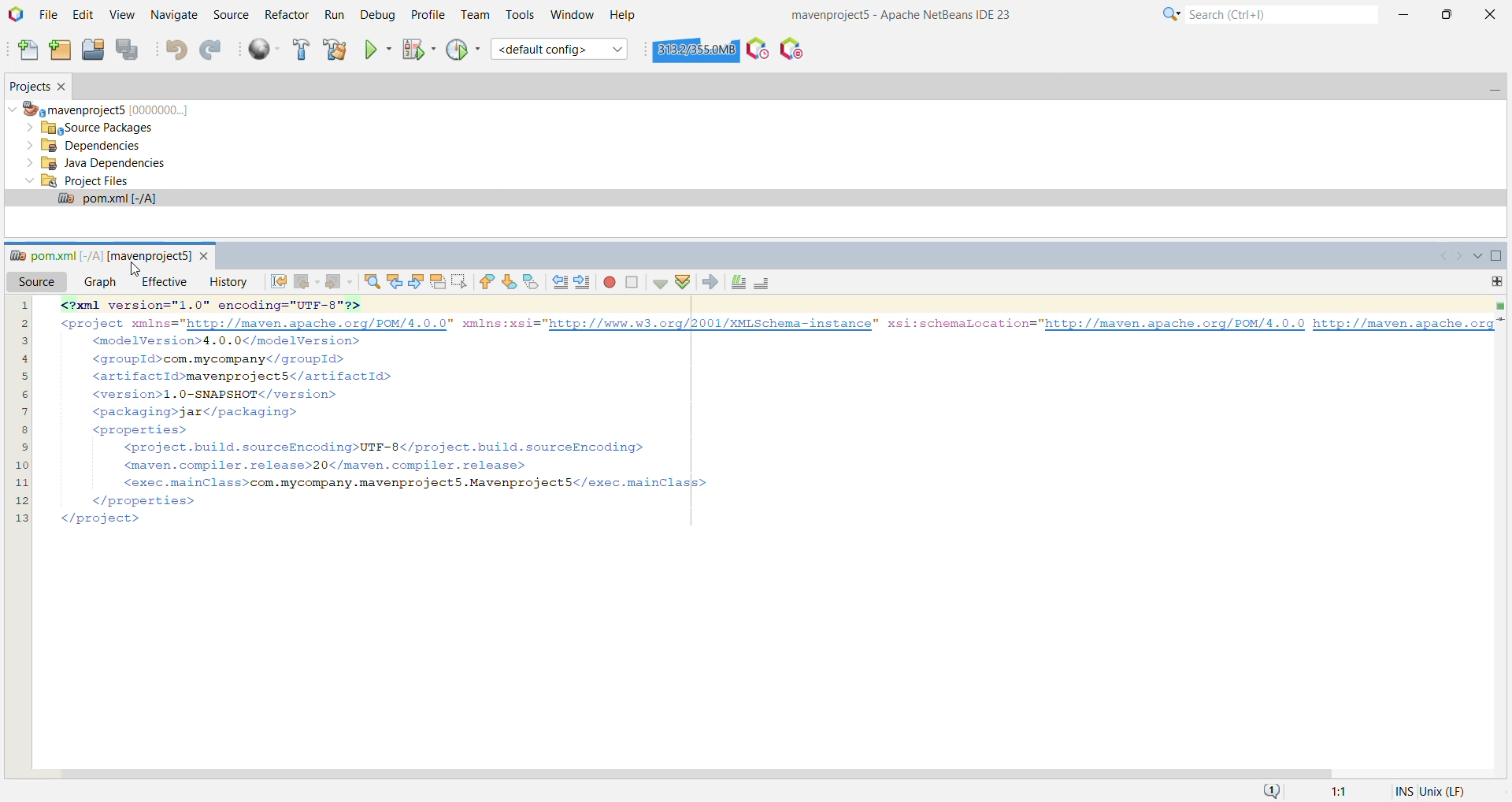 This screenshot has width=1512, height=802. Describe the element at coordinates (235, 341) in the screenshot. I see `<modelVersion>4.0.0</modelVersion>` at that location.